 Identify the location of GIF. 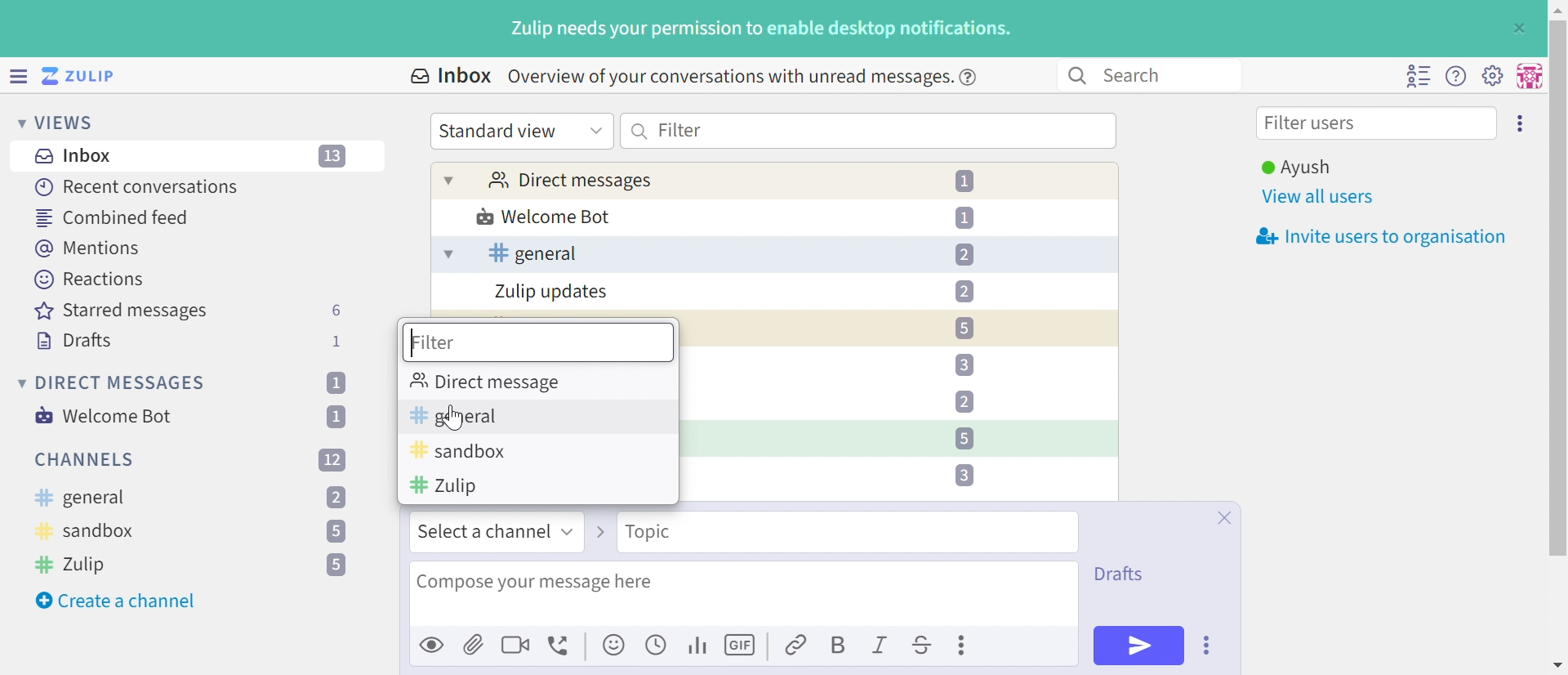
(742, 646).